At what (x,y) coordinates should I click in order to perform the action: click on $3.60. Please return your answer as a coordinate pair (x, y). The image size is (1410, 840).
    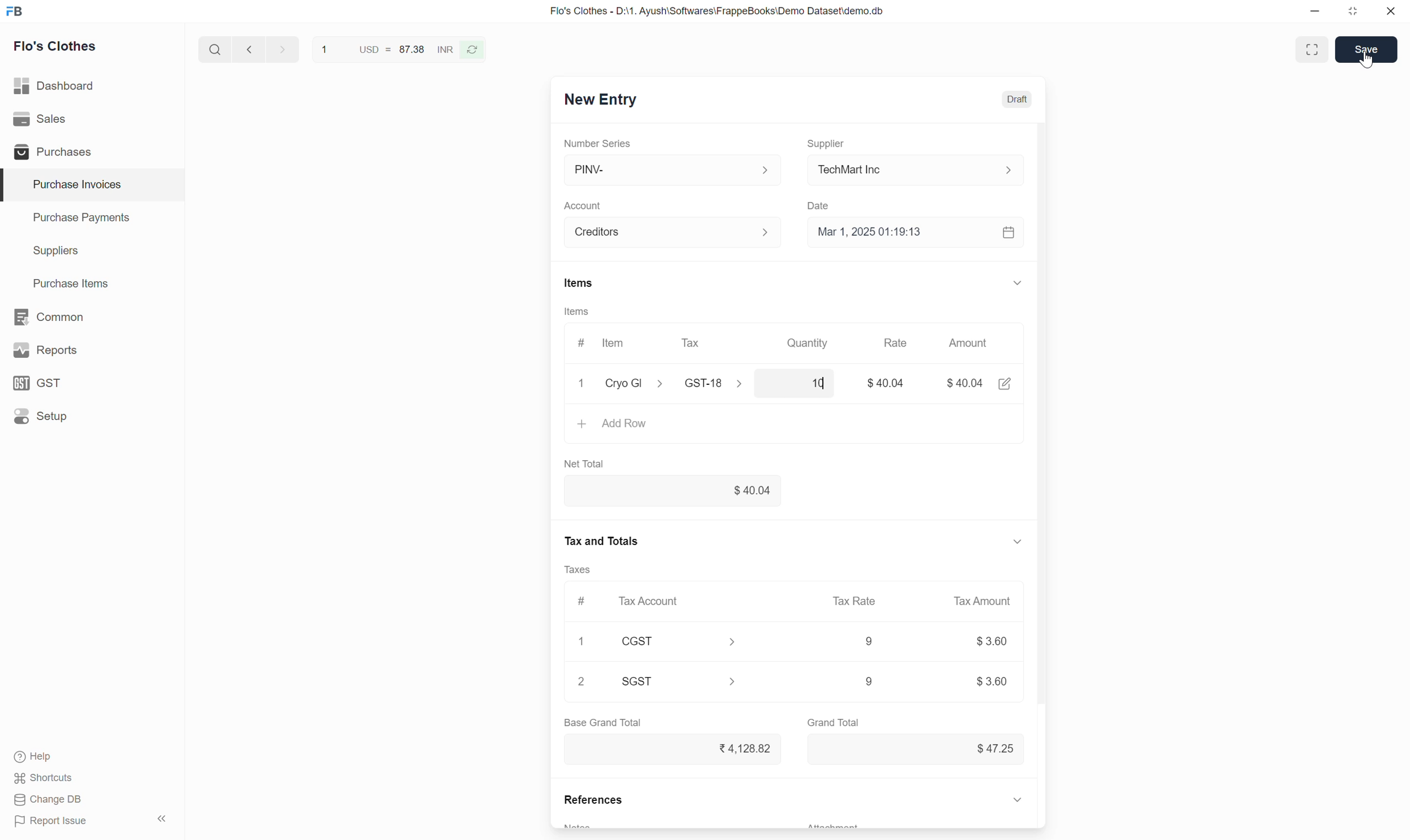
    Looking at the image, I should click on (991, 643).